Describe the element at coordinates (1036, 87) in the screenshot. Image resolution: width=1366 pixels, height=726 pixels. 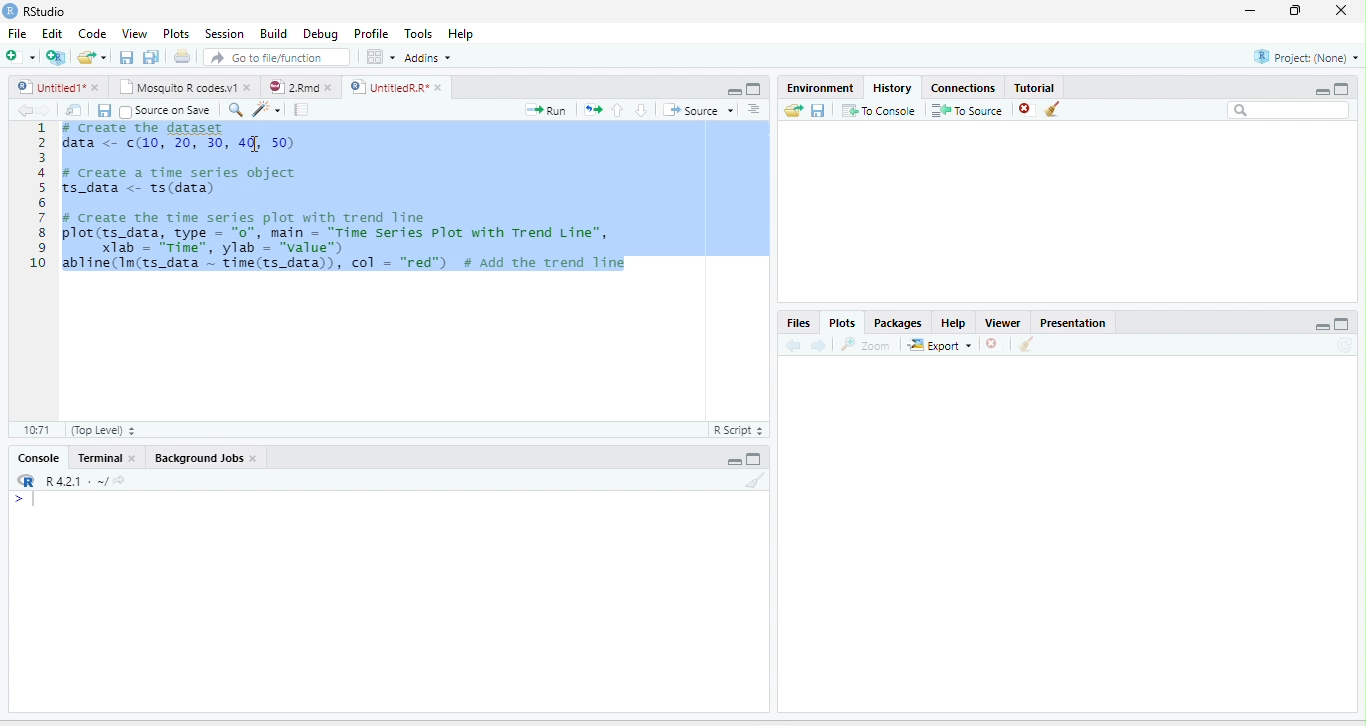
I see `Tutorial` at that location.